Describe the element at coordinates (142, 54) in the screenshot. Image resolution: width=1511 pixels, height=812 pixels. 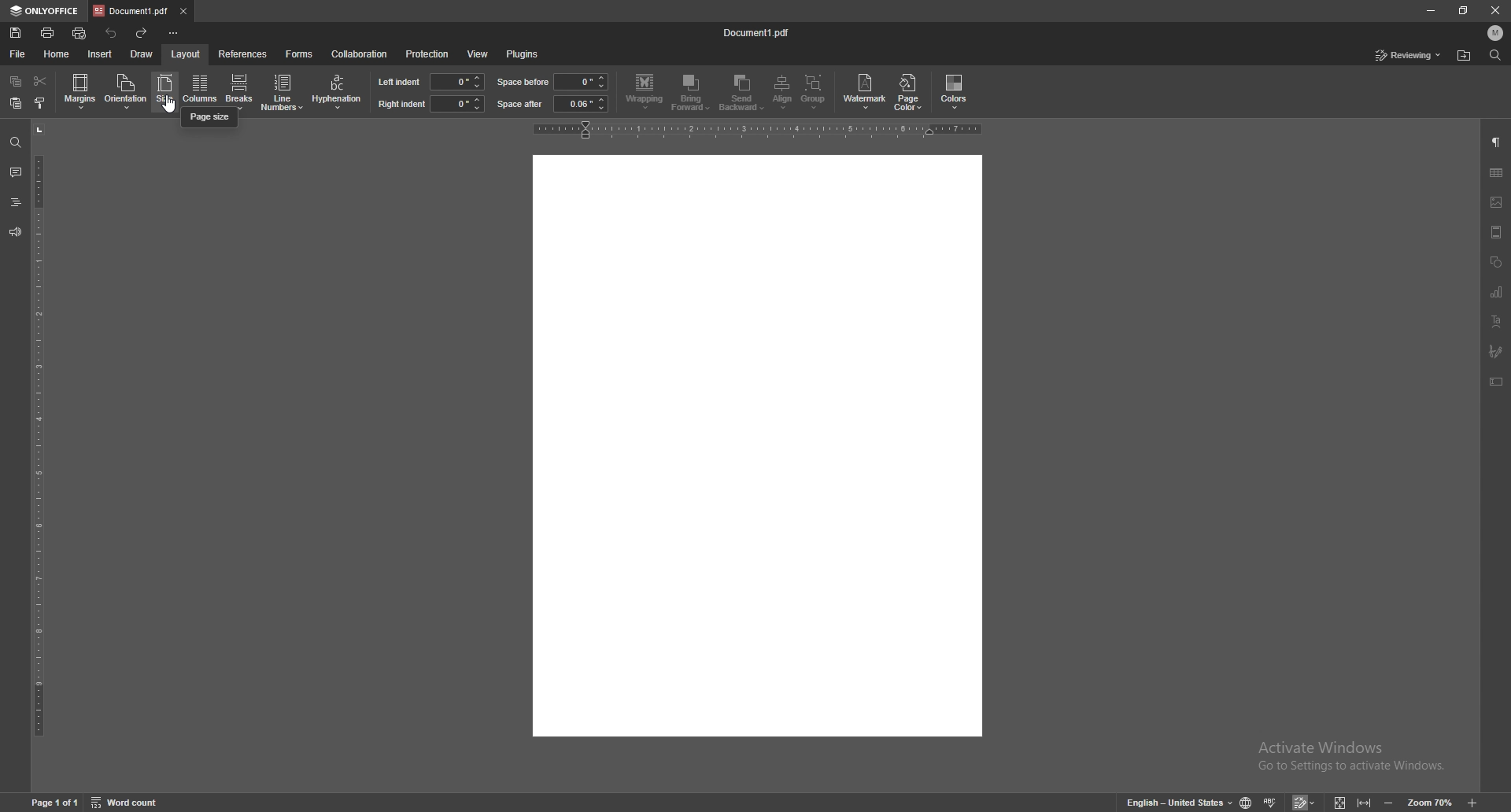
I see `draw` at that location.